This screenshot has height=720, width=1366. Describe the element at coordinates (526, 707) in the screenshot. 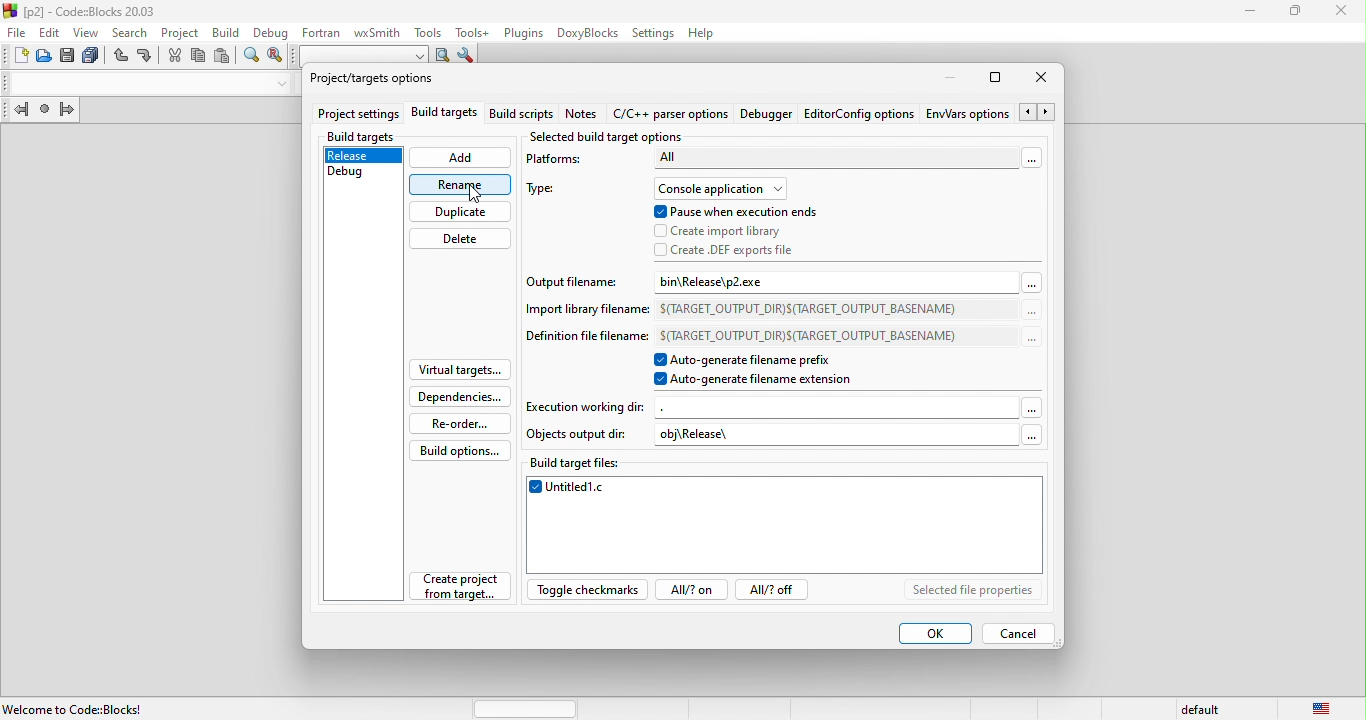

I see `horizontal scroll bar` at that location.